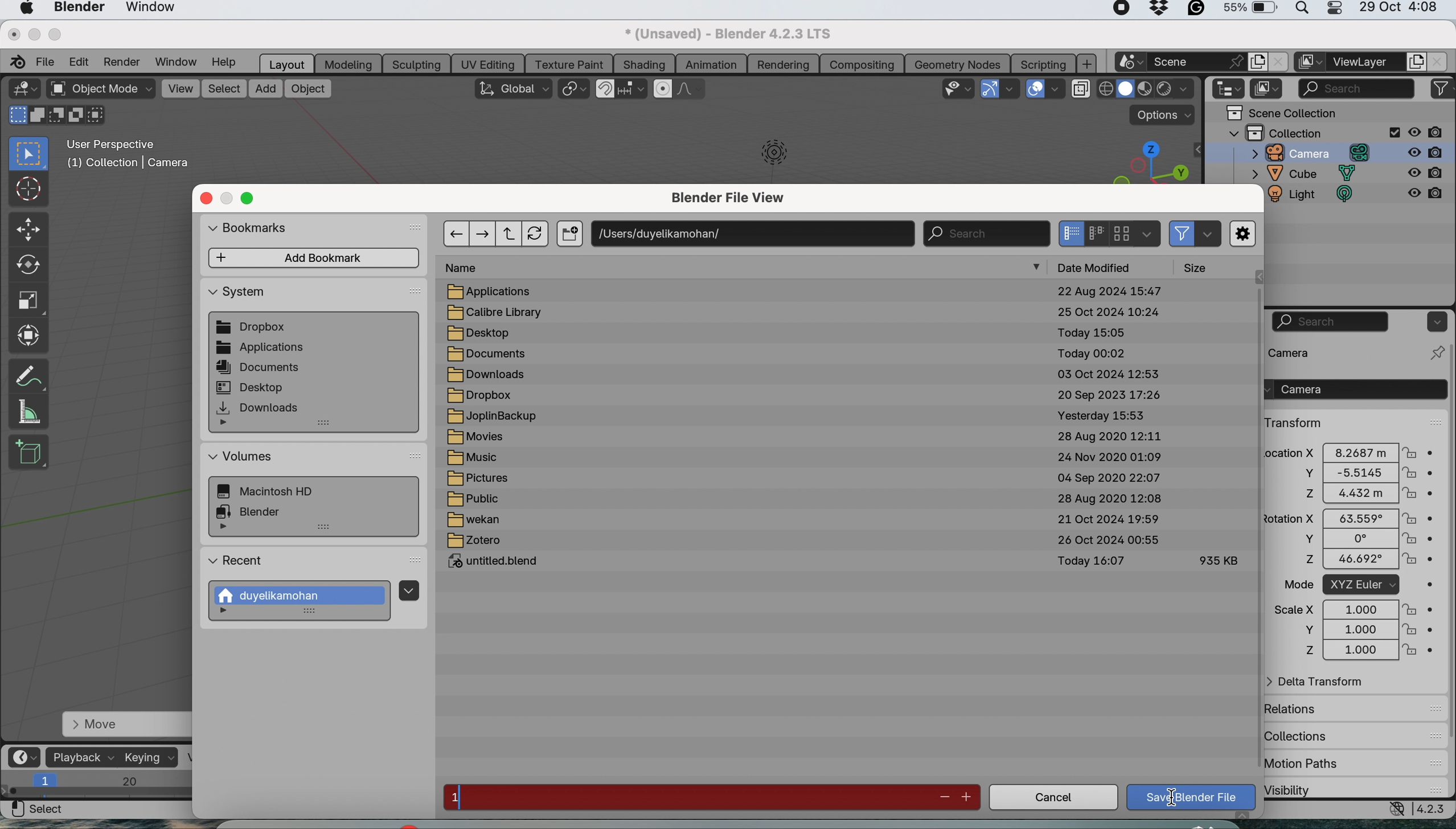 This screenshot has width=1456, height=829. I want to click on texture paint, so click(571, 63).